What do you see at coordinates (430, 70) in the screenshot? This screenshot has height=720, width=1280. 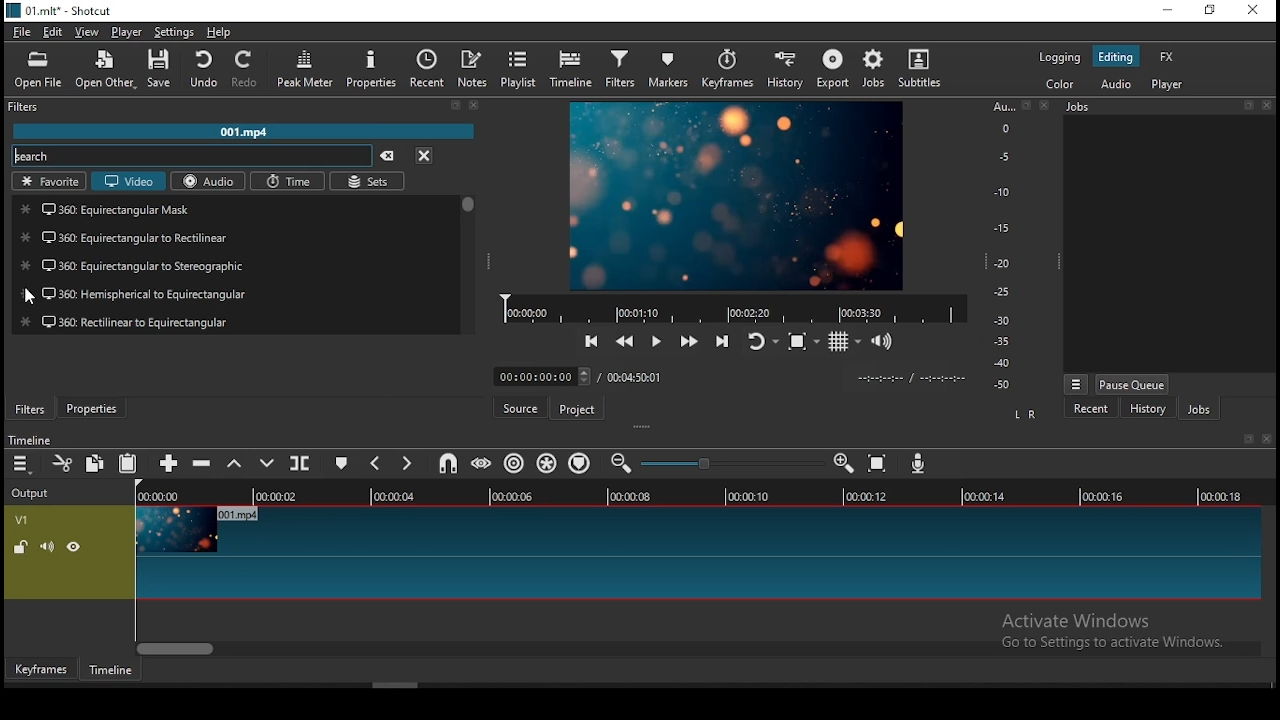 I see `recent` at bounding box center [430, 70].